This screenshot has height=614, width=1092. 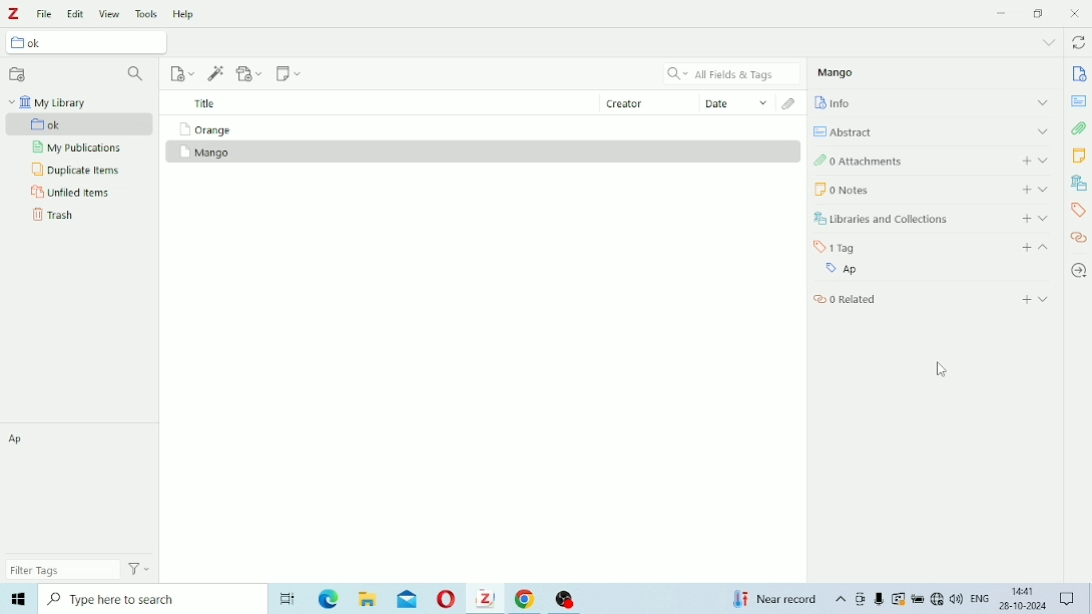 What do you see at coordinates (203, 129) in the screenshot?
I see `Orange` at bounding box center [203, 129].